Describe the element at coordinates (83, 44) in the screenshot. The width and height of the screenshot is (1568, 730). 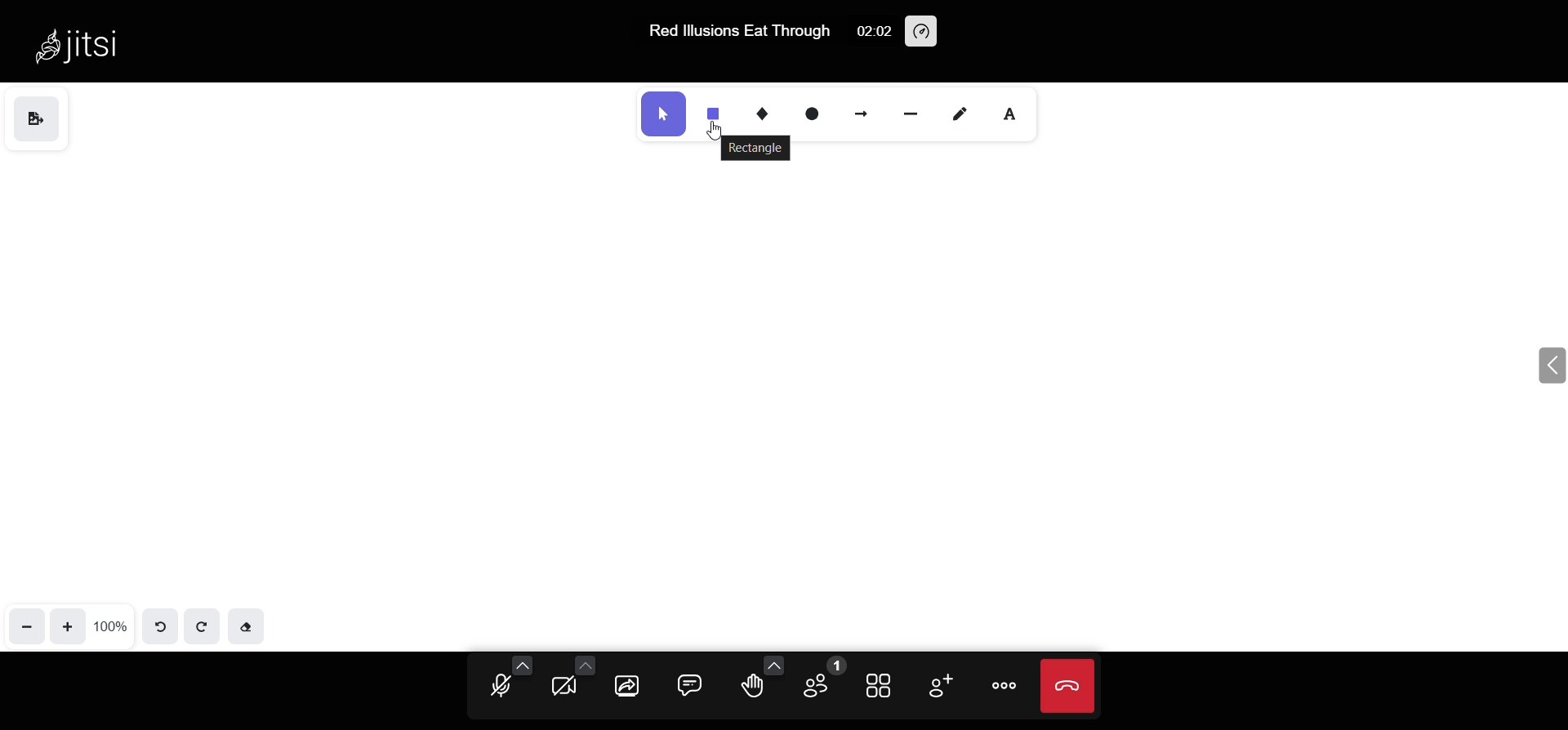
I see `Jitsi` at that location.